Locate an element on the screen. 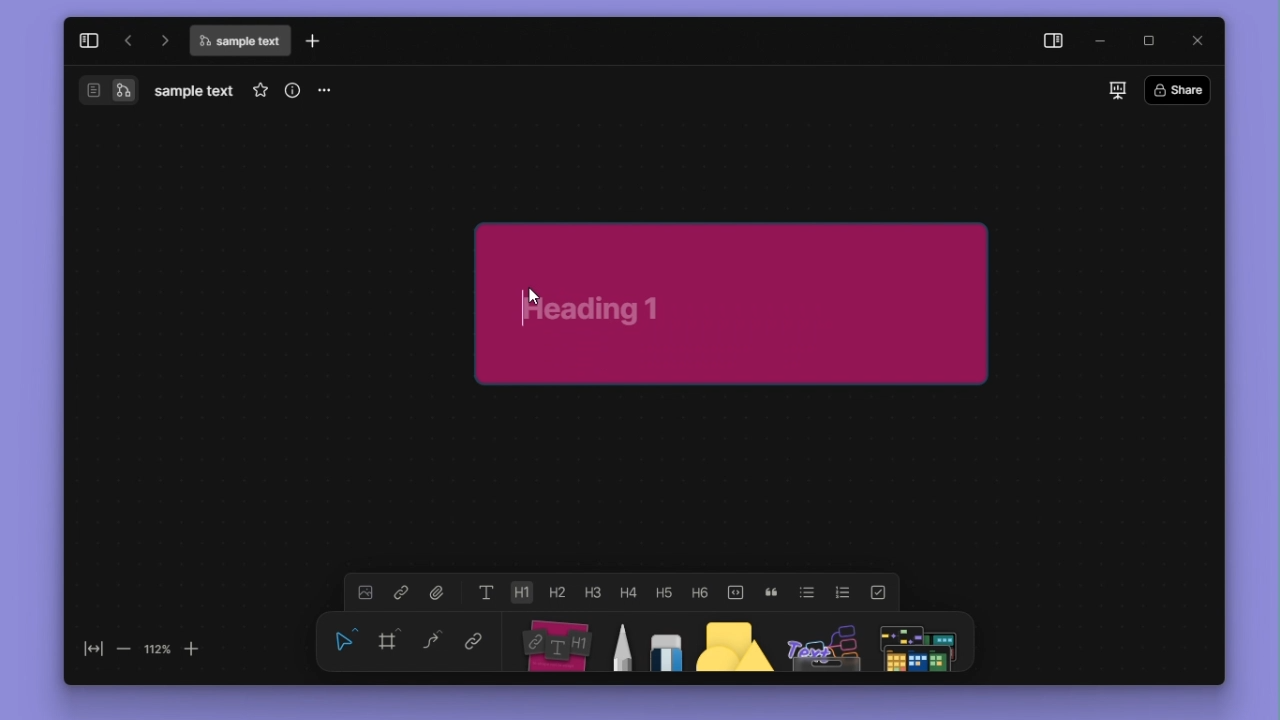  Heading 2 is located at coordinates (556, 592).